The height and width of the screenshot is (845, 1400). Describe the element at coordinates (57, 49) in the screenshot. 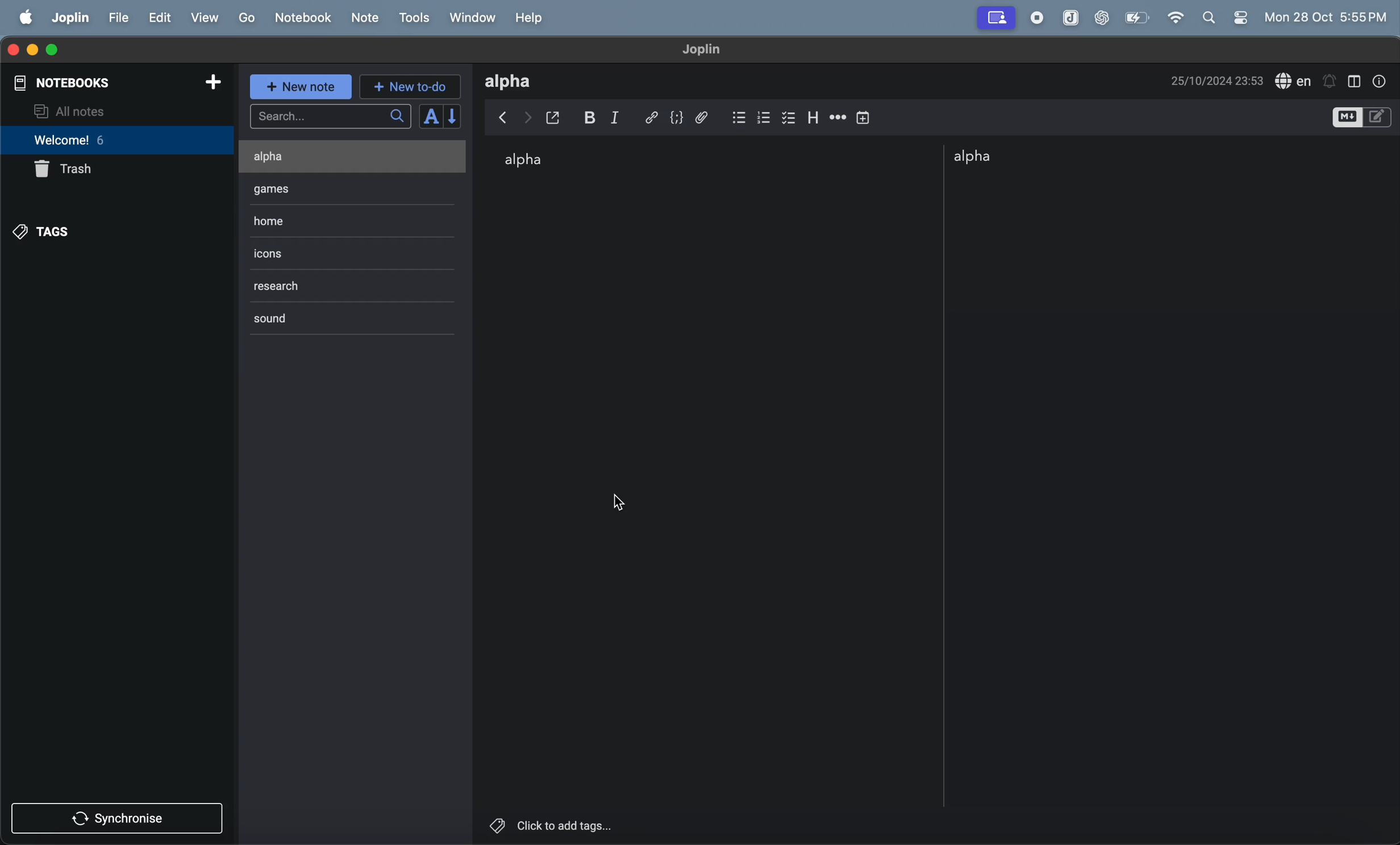

I see `maximize` at that location.